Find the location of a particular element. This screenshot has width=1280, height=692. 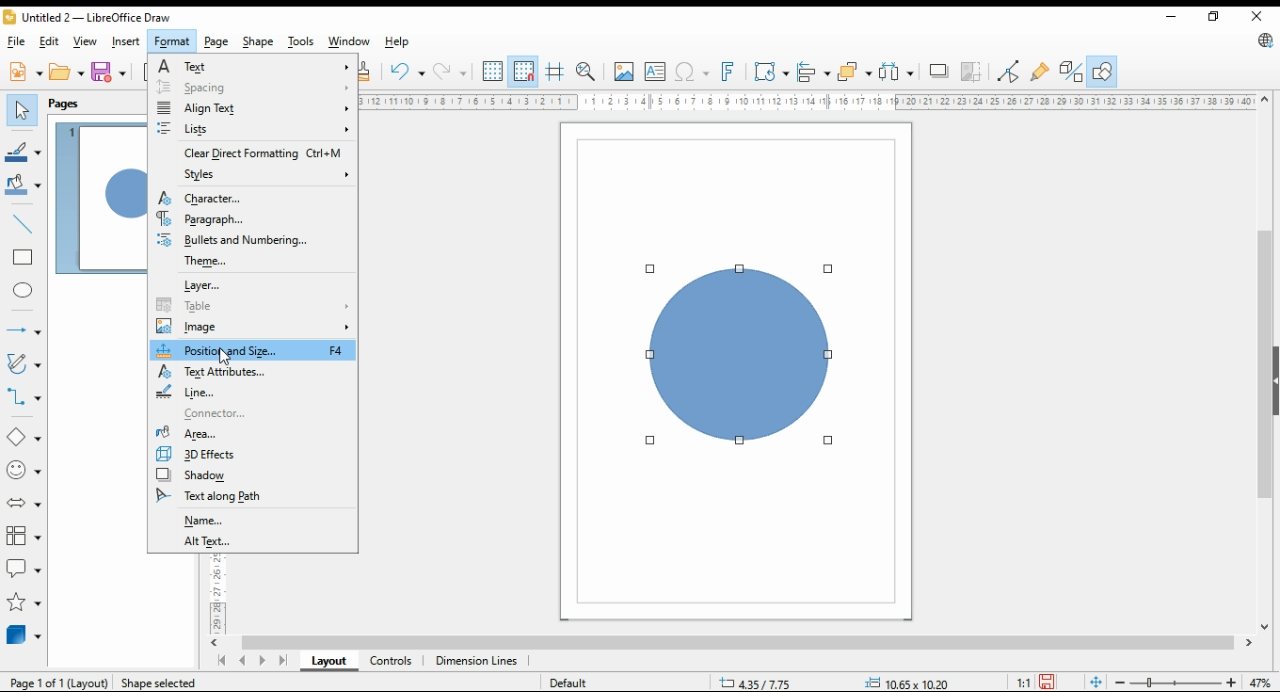

show grids is located at coordinates (493, 72).